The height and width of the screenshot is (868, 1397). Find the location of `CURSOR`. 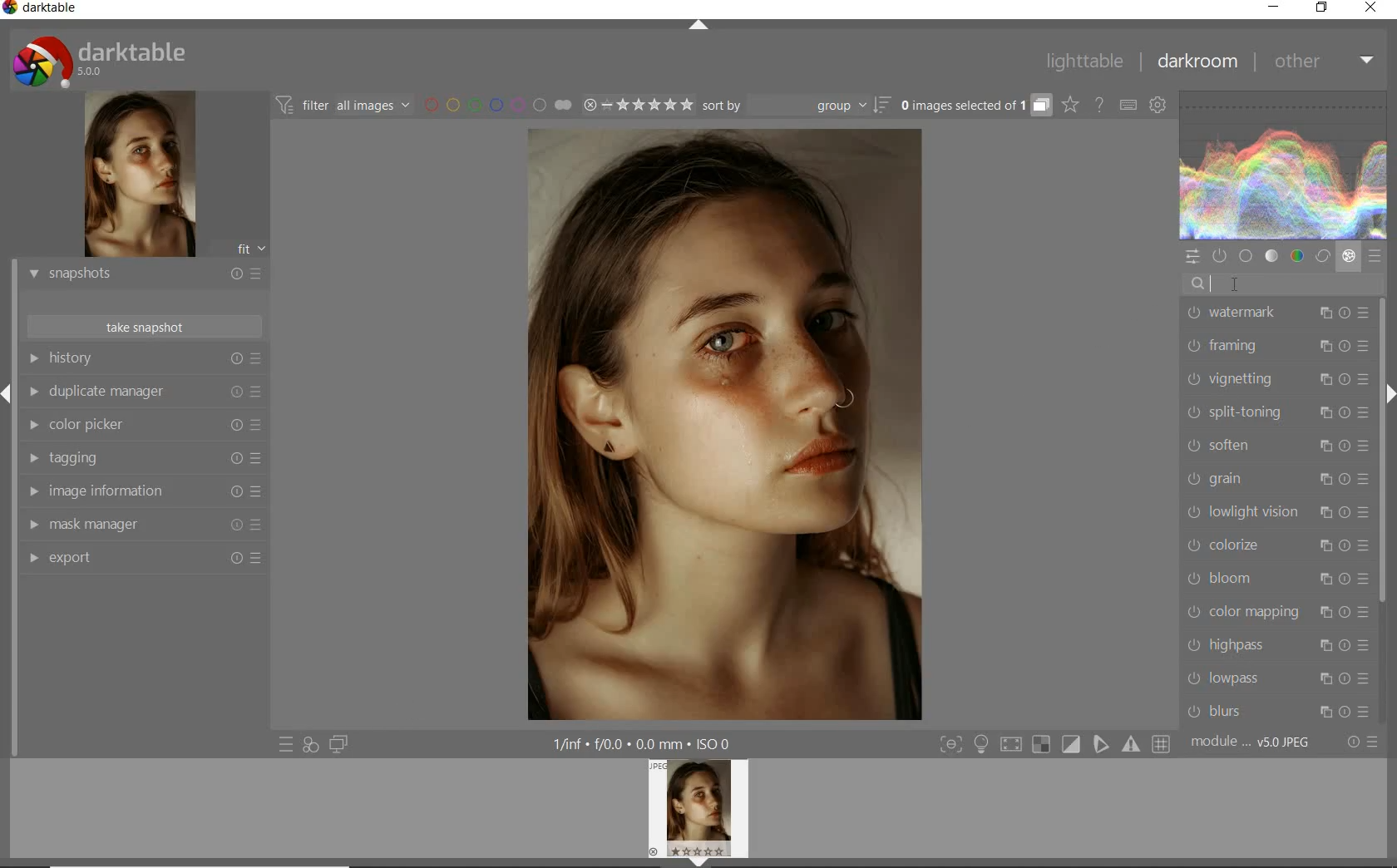

CURSOR is located at coordinates (1233, 284).